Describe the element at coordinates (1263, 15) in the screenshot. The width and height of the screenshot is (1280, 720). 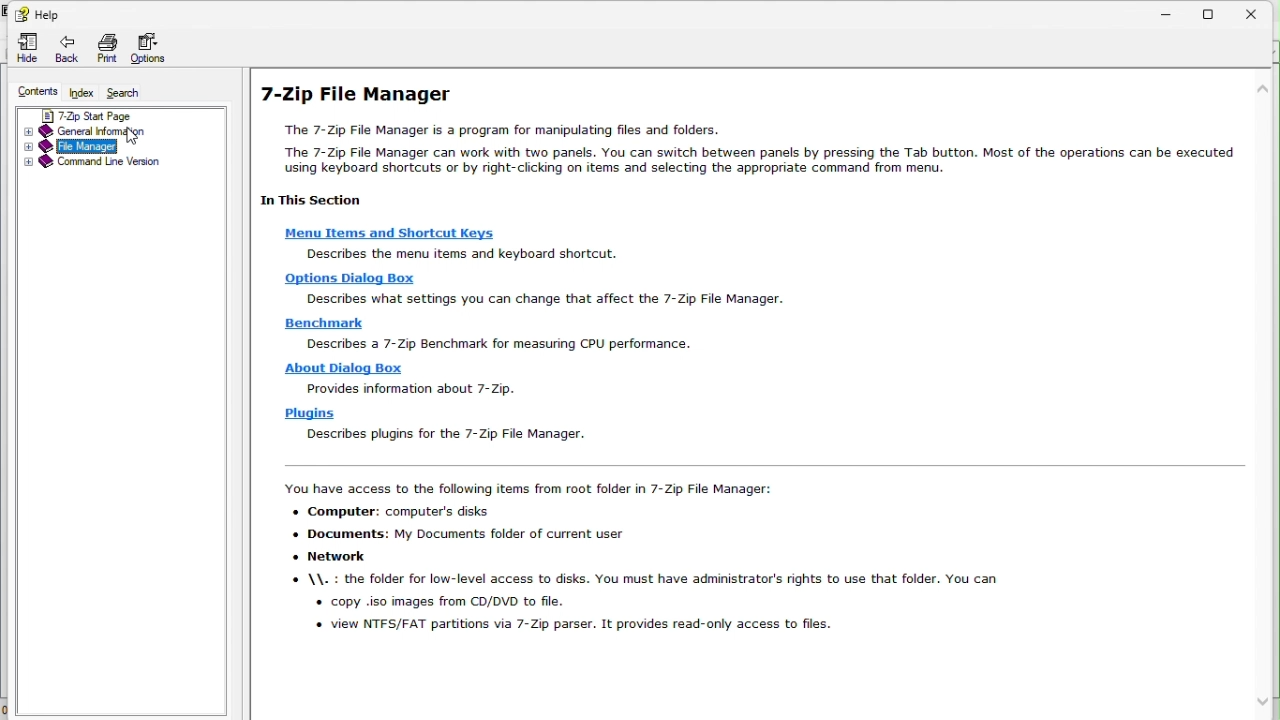
I see `Close` at that location.